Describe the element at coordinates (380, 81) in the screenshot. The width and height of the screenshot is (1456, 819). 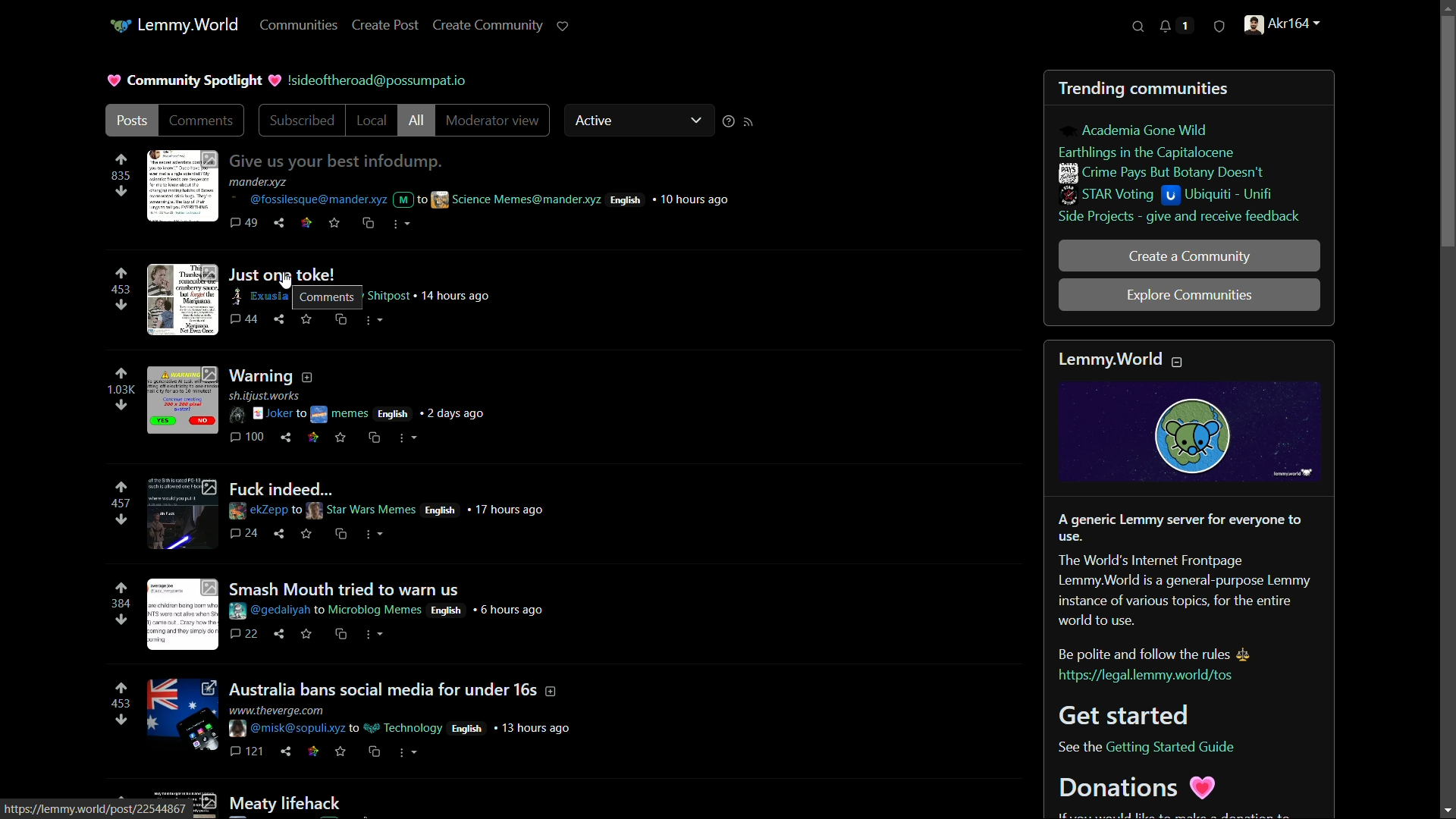
I see `sideoftheroad@possumpat.io` at that location.